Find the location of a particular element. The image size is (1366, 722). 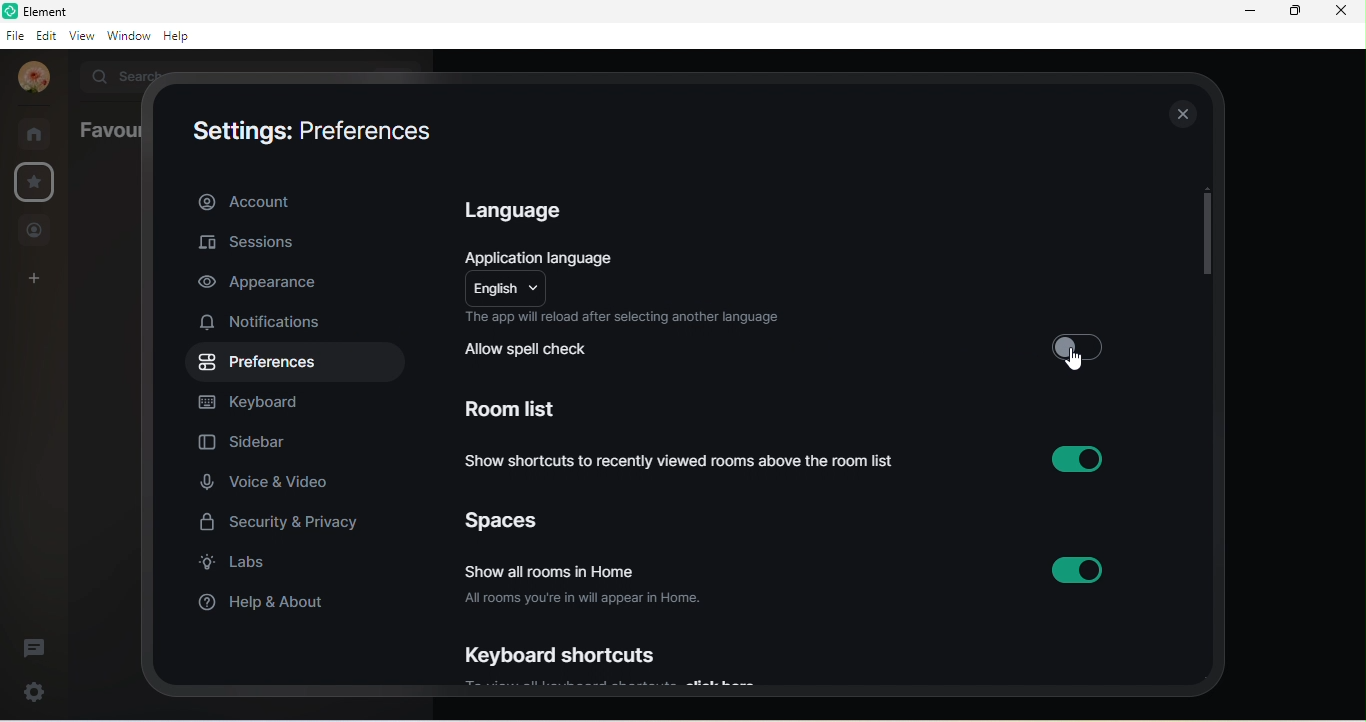

sidebar is located at coordinates (250, 443).